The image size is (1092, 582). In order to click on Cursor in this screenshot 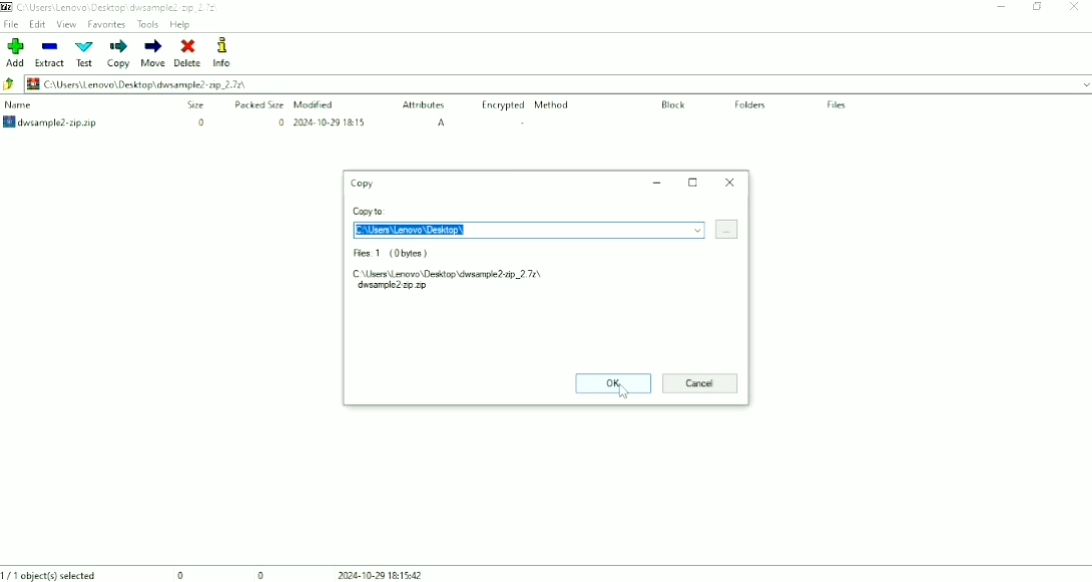, I will do `click(626, 392)`.